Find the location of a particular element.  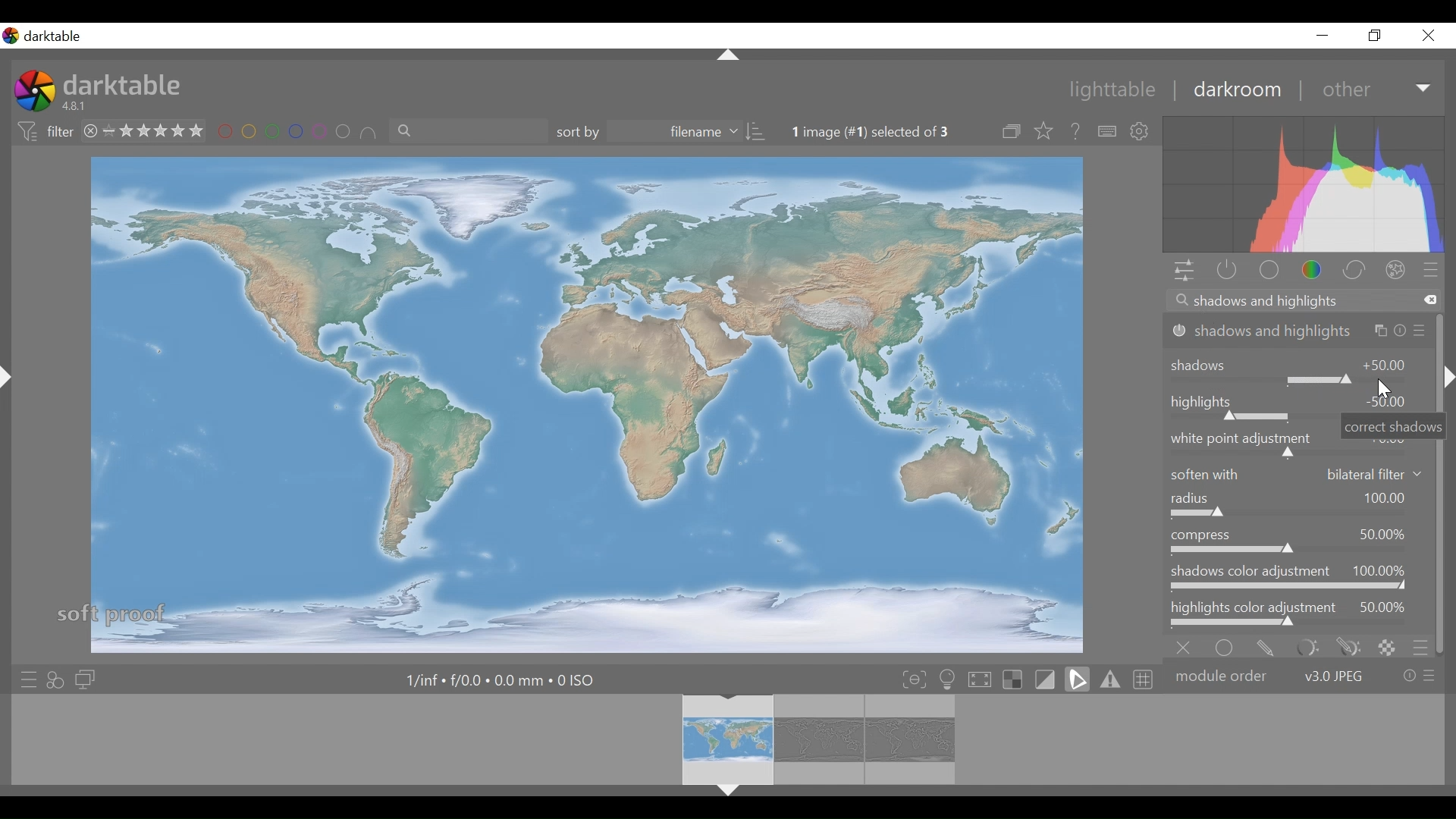

quick access presets is located at coordinates (25, 677).